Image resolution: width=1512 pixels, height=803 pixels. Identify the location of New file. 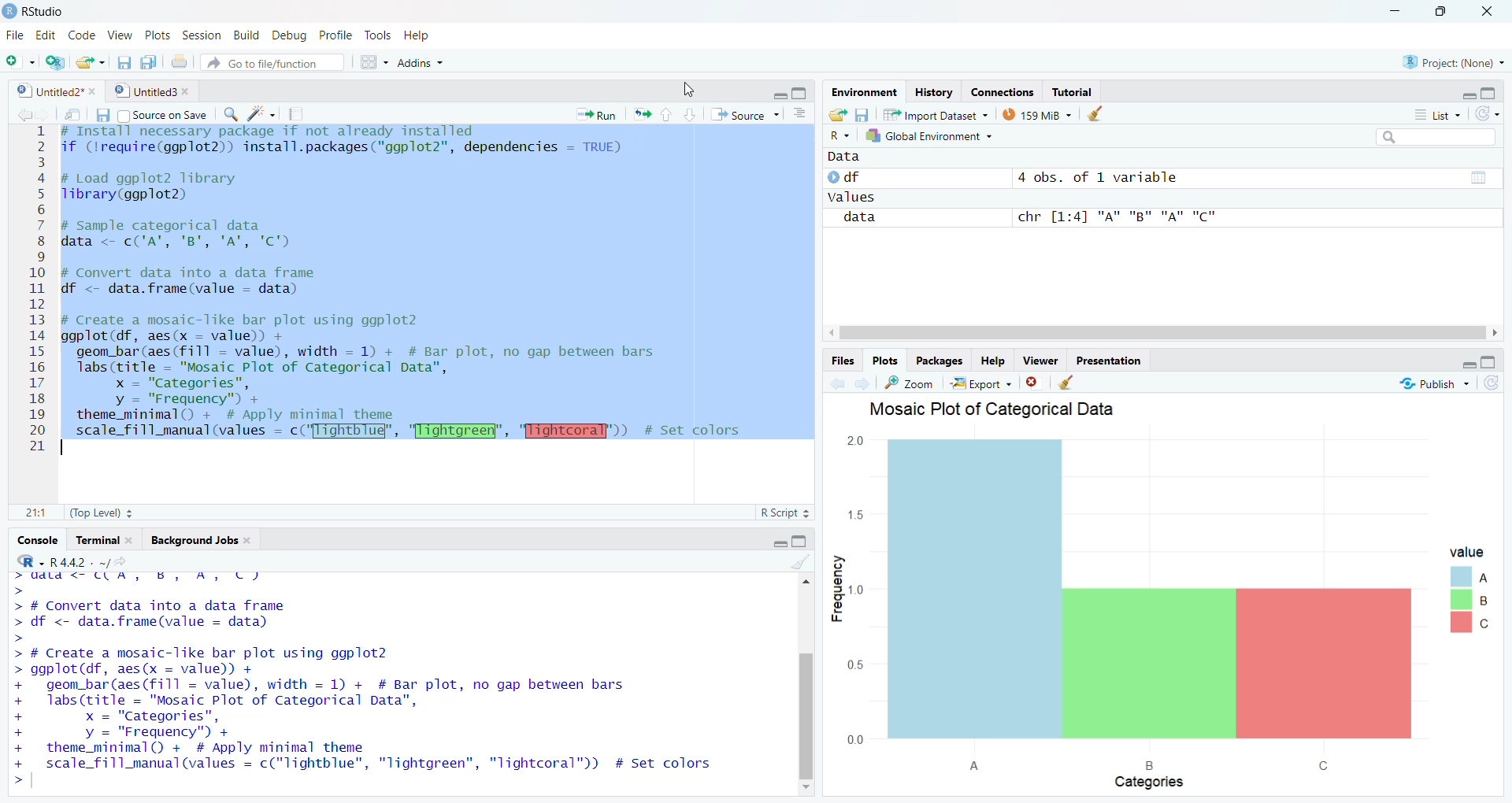
(19, 62).